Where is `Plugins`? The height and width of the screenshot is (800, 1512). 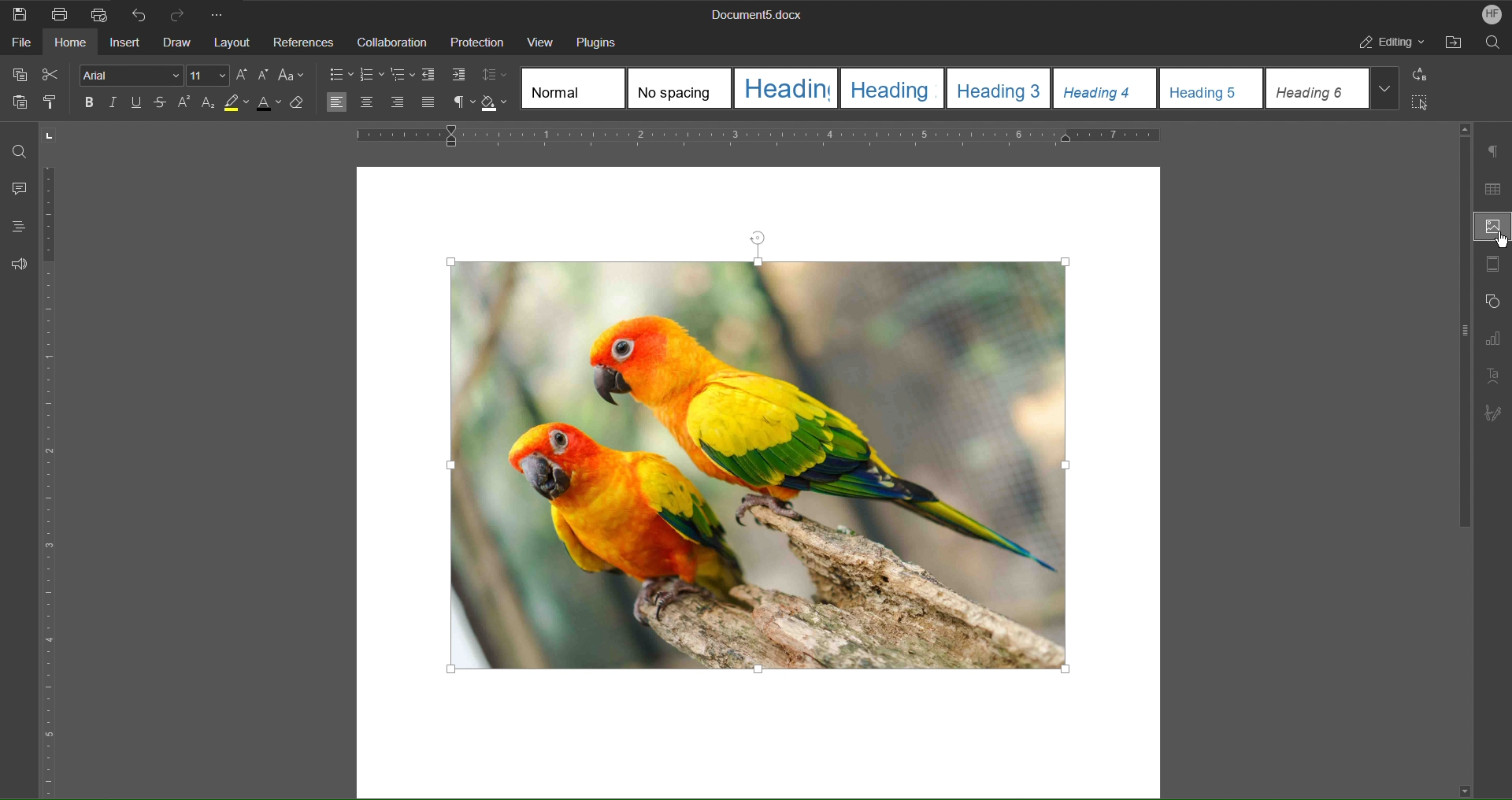
Plugins is located at coordinates (602, 41).